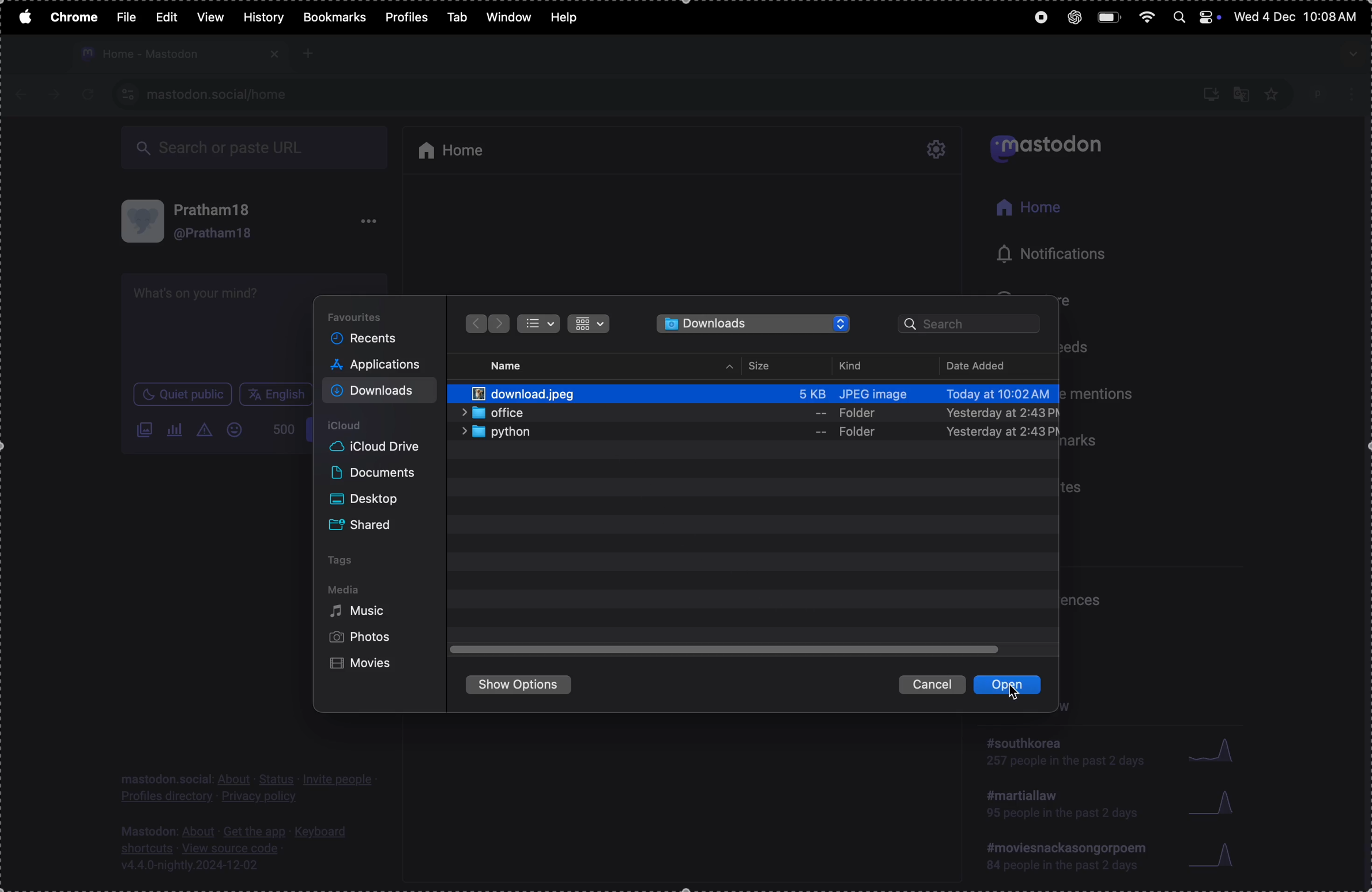 This screenshot has width=1372, height=892. I want to click on date and time, so click(1298, 18).